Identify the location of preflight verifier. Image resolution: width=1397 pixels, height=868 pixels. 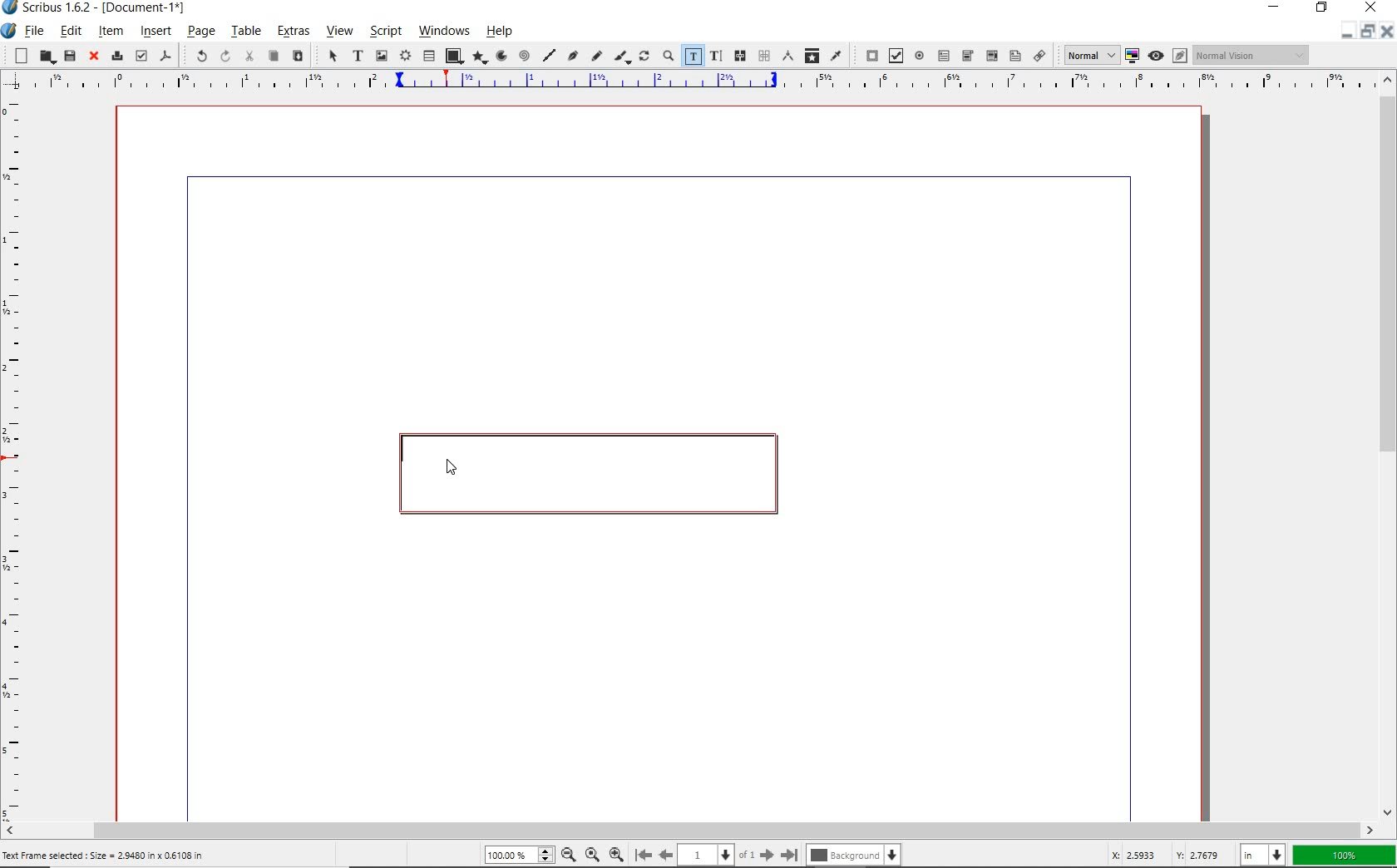
(141, 57).